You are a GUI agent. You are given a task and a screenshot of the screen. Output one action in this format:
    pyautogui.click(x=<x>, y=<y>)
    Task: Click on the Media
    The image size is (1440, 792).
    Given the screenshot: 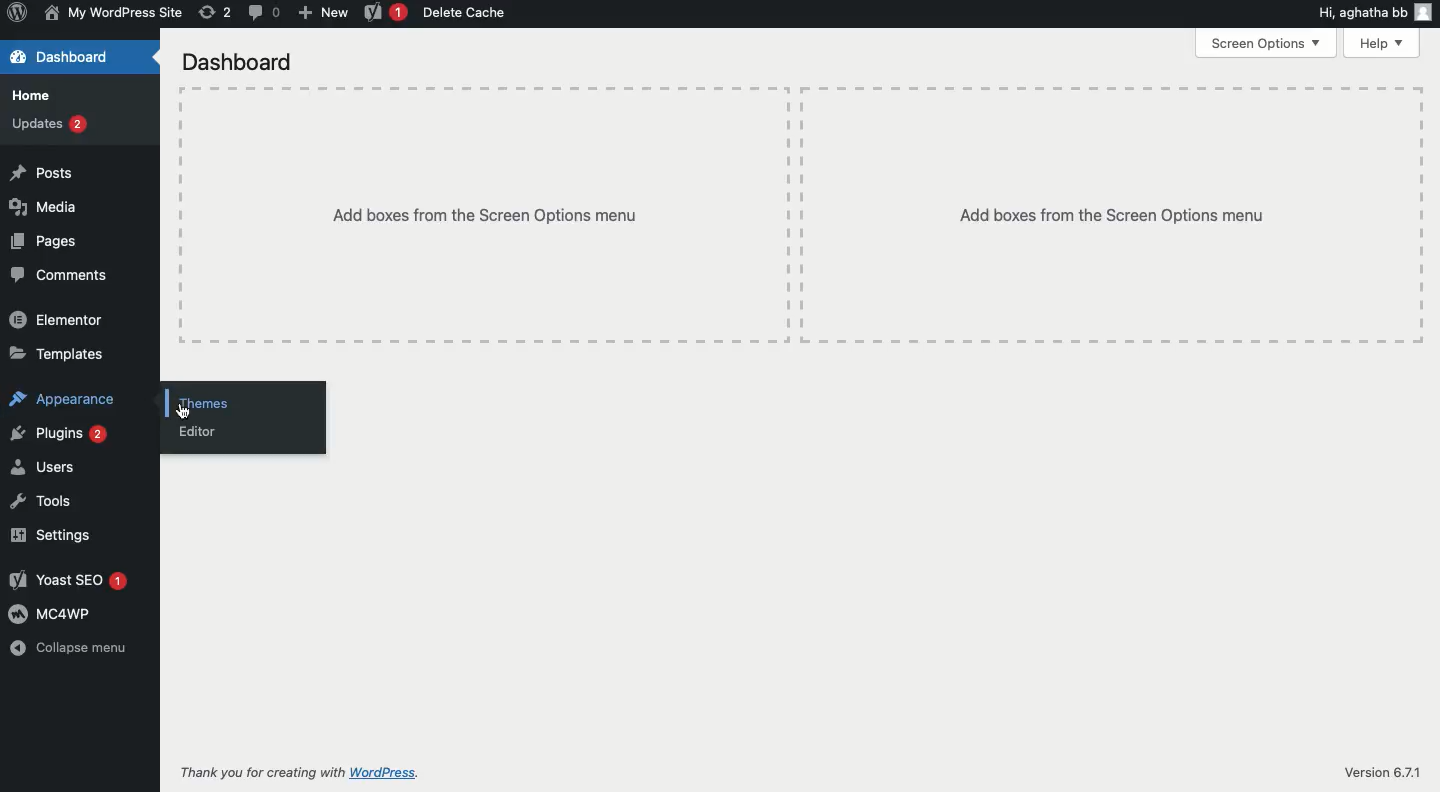 What is the action you would take?
    pyautogui.click(x=49, y=208)
    